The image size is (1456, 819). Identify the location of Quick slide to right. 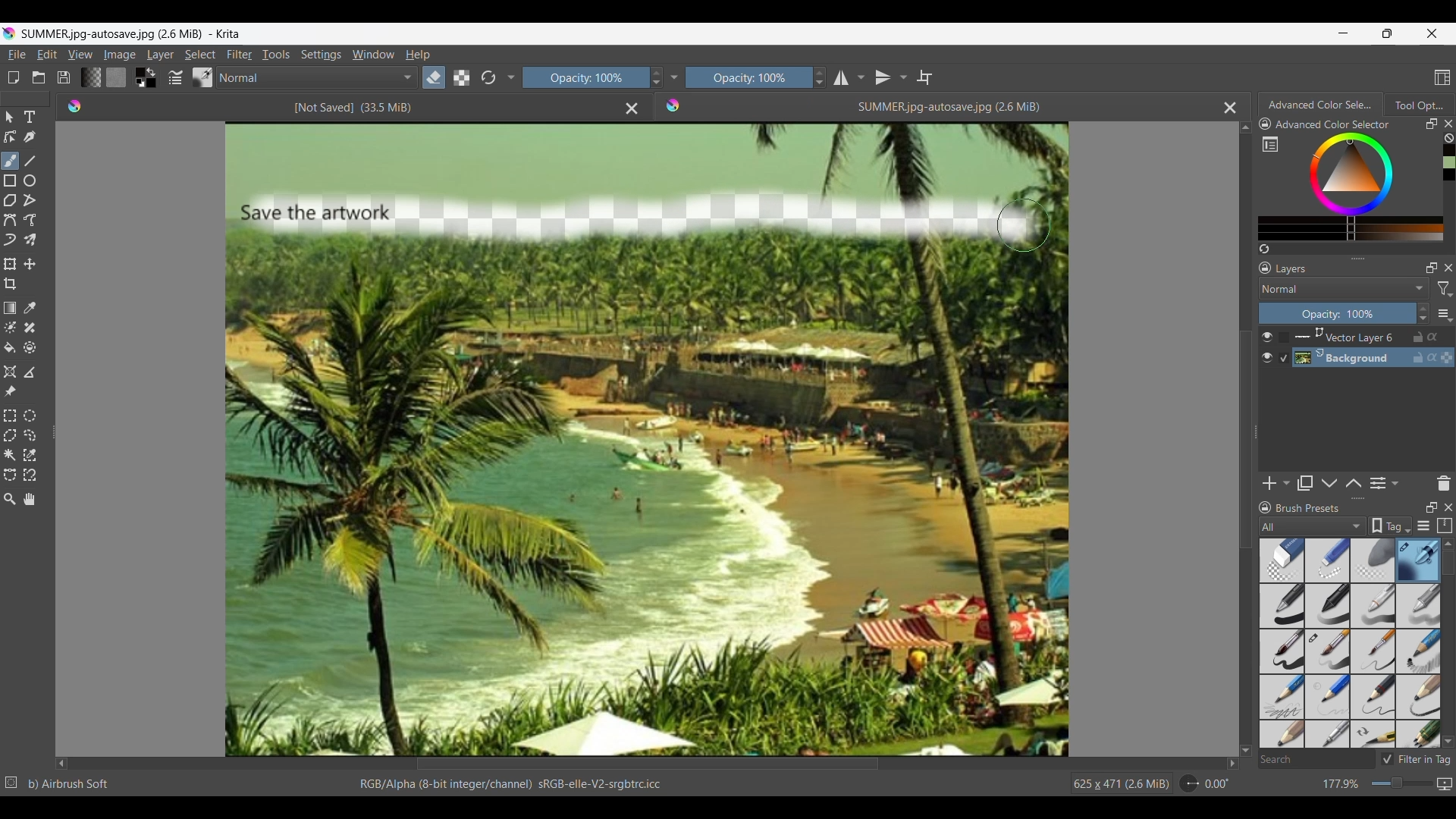
(1232, 764).